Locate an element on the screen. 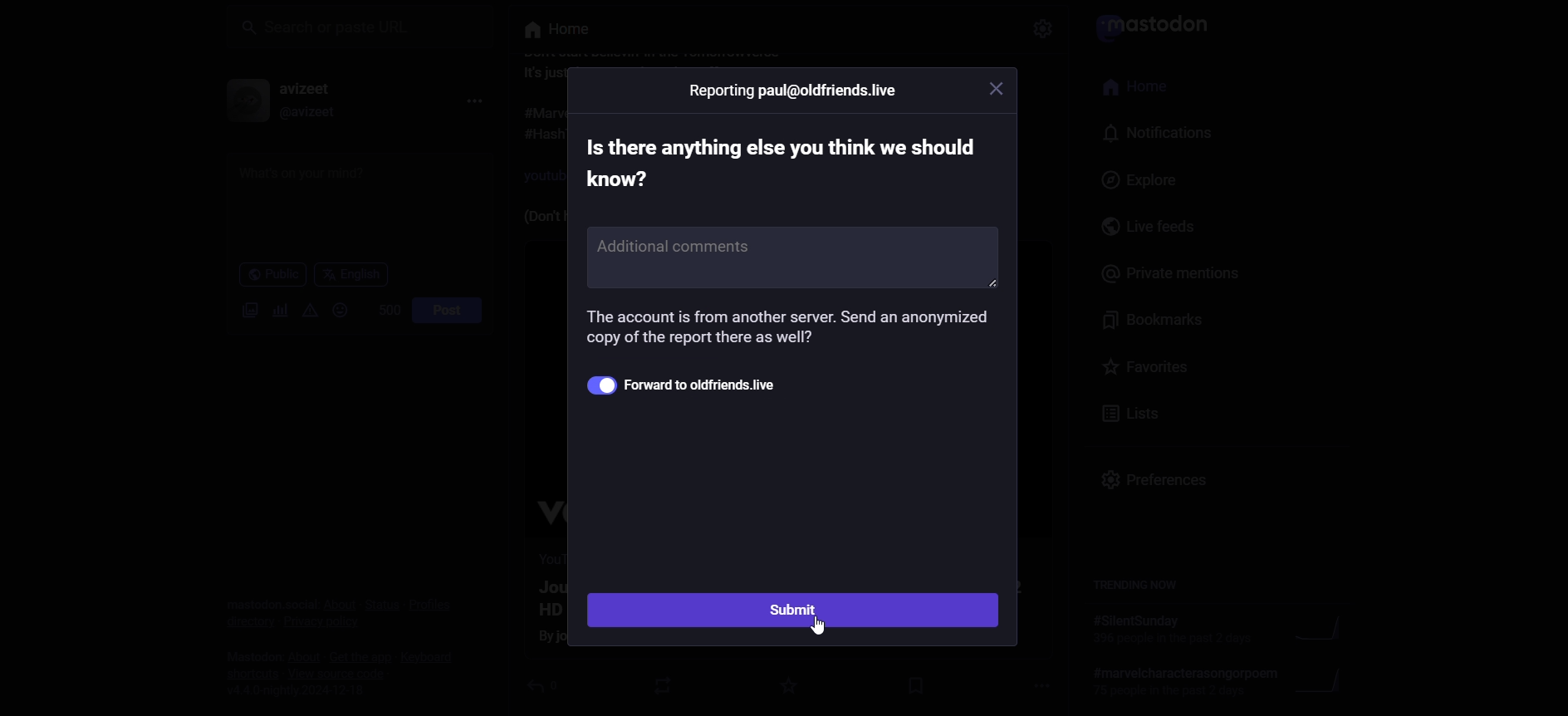   is located at coordinates (820, 627).